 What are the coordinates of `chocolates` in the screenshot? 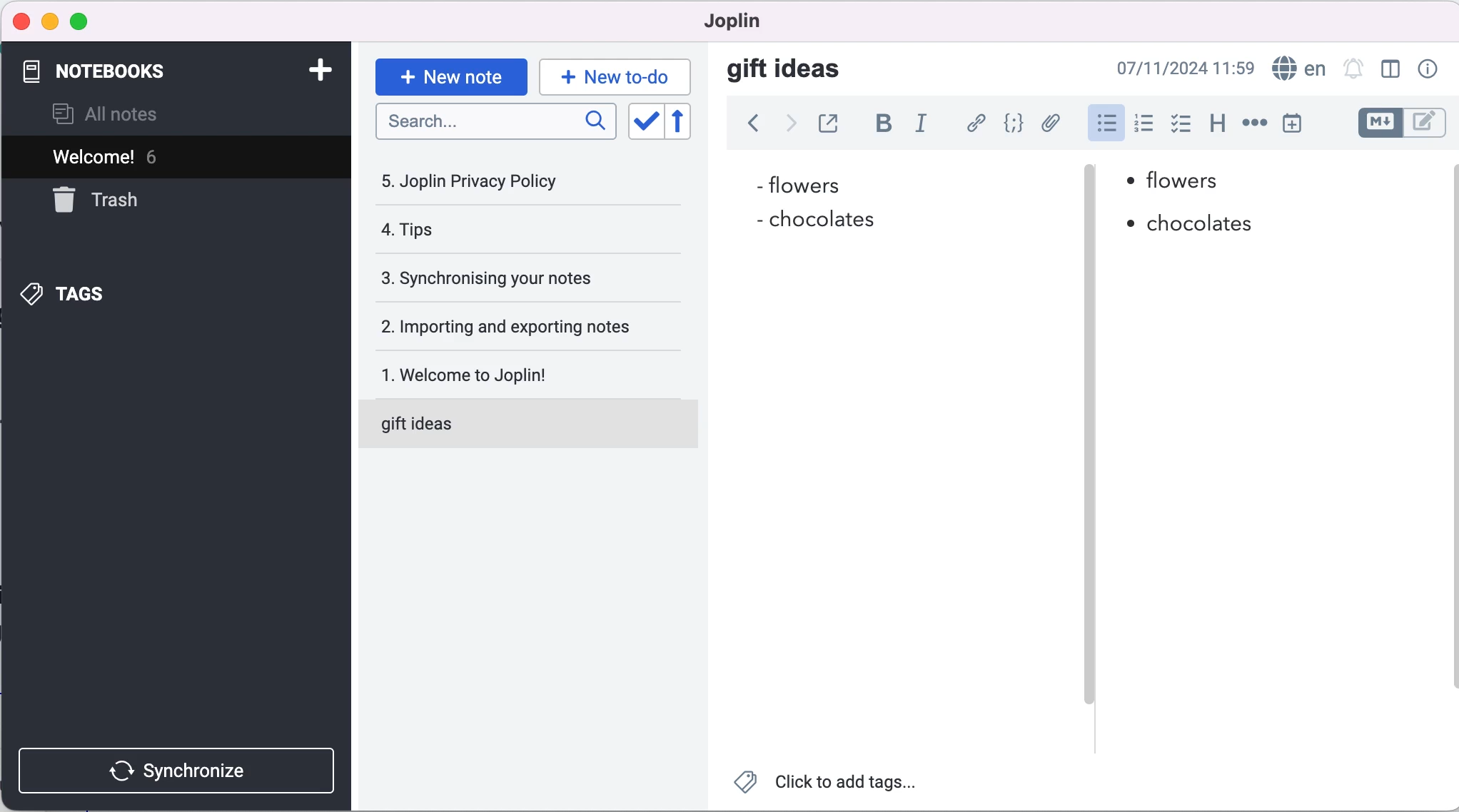 It's located at (1195, 224).